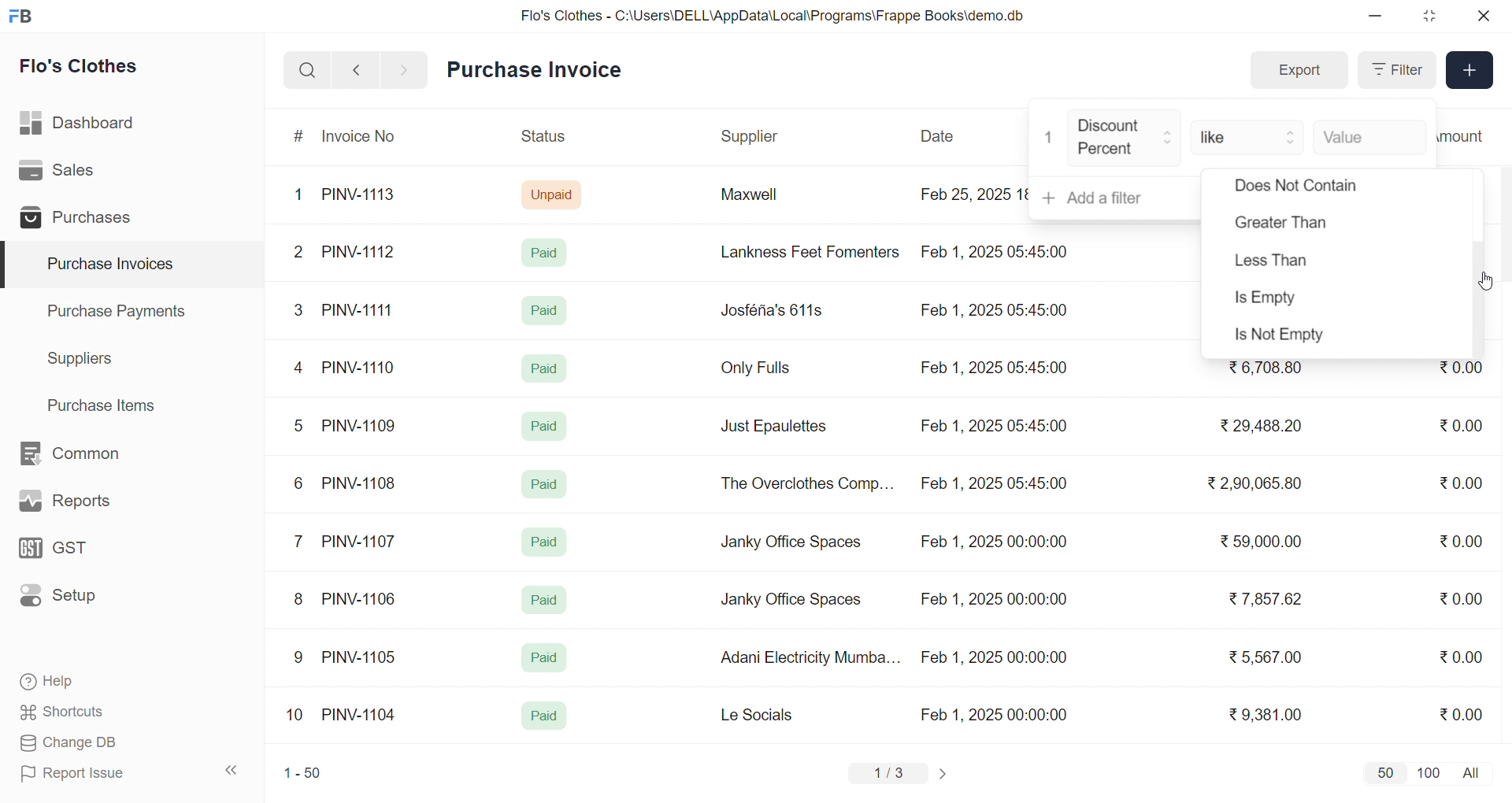  I want to click on PINV-1105, so click(362, 657).